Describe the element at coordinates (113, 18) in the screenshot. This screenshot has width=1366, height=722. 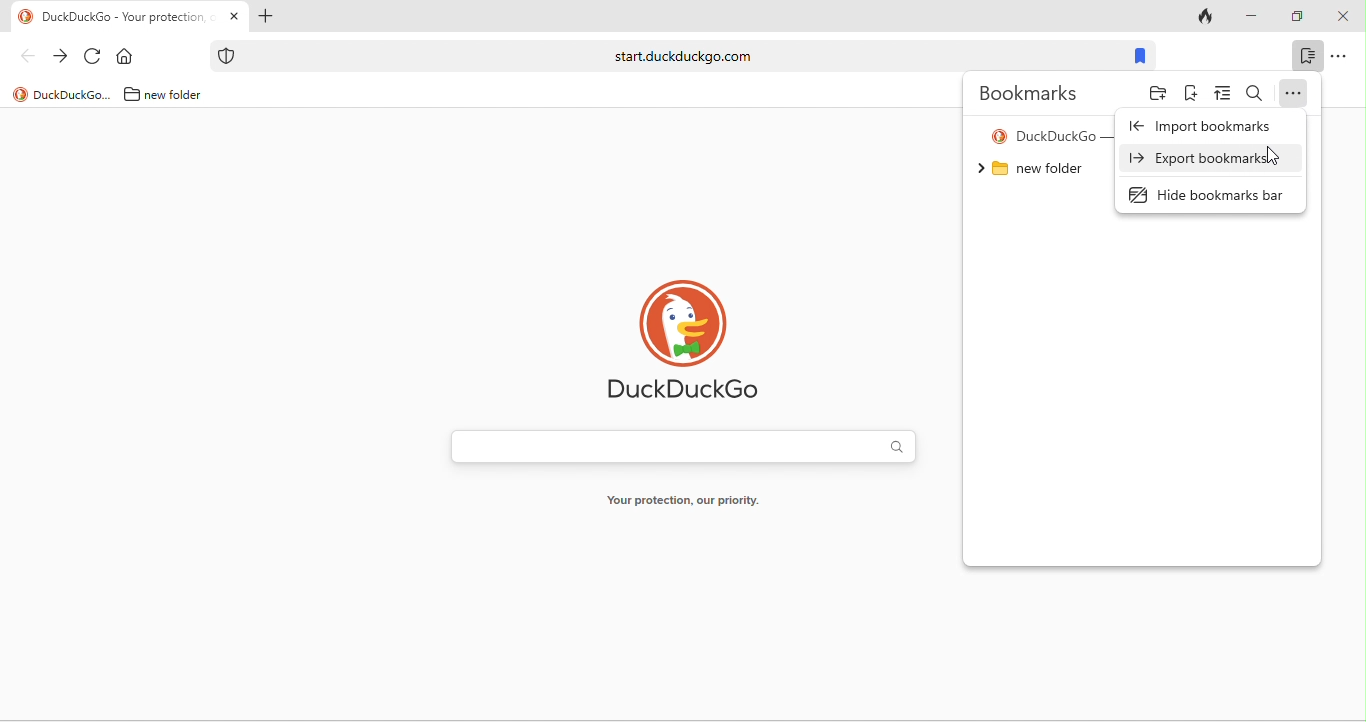
I see `duckduckgo tab` at that location.